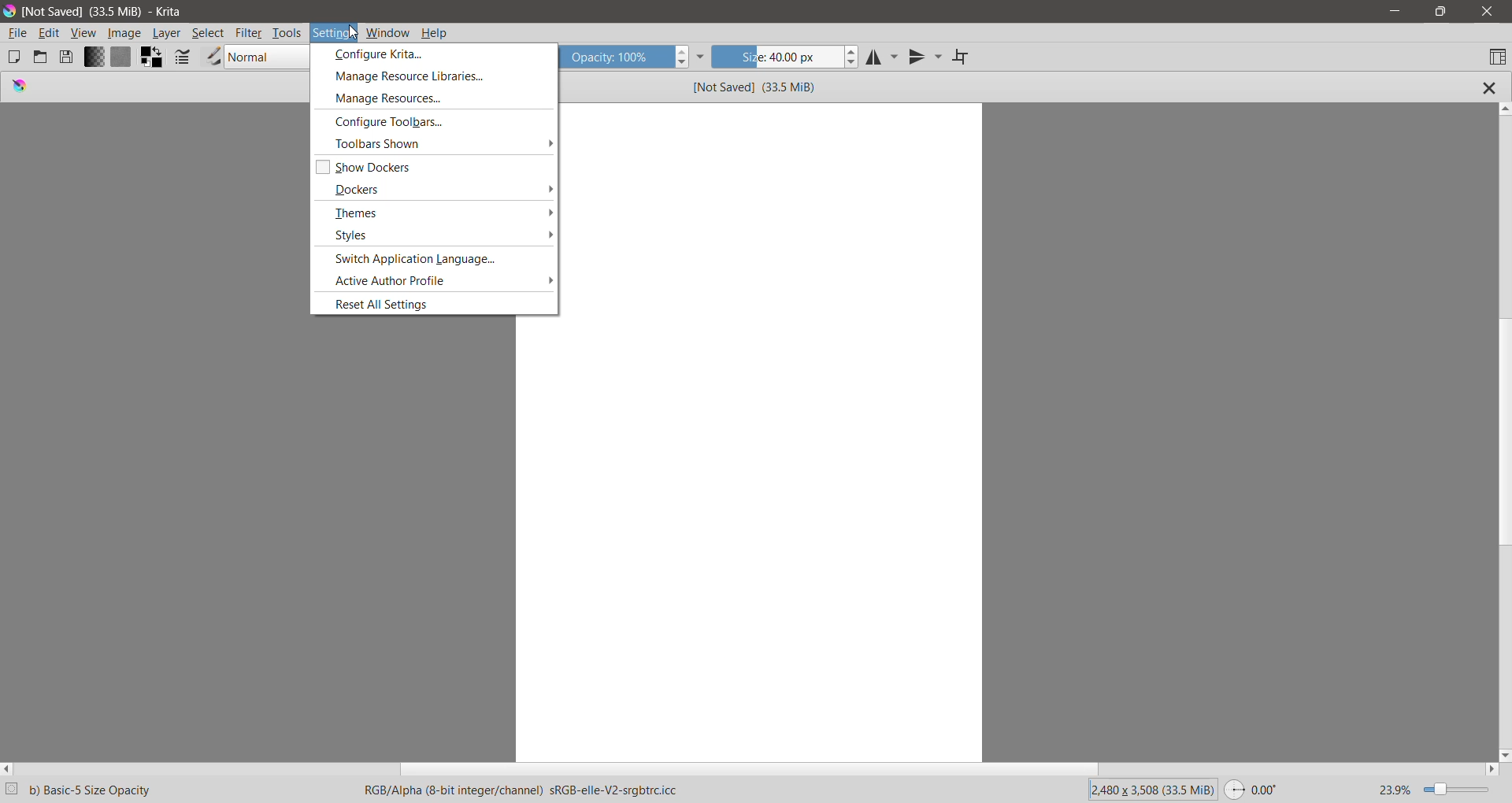 This screenshot has height=803, width=1512. Describe the element at coordinates (120, 57) in the screenshot. I see `Fill Patterns` at that location.